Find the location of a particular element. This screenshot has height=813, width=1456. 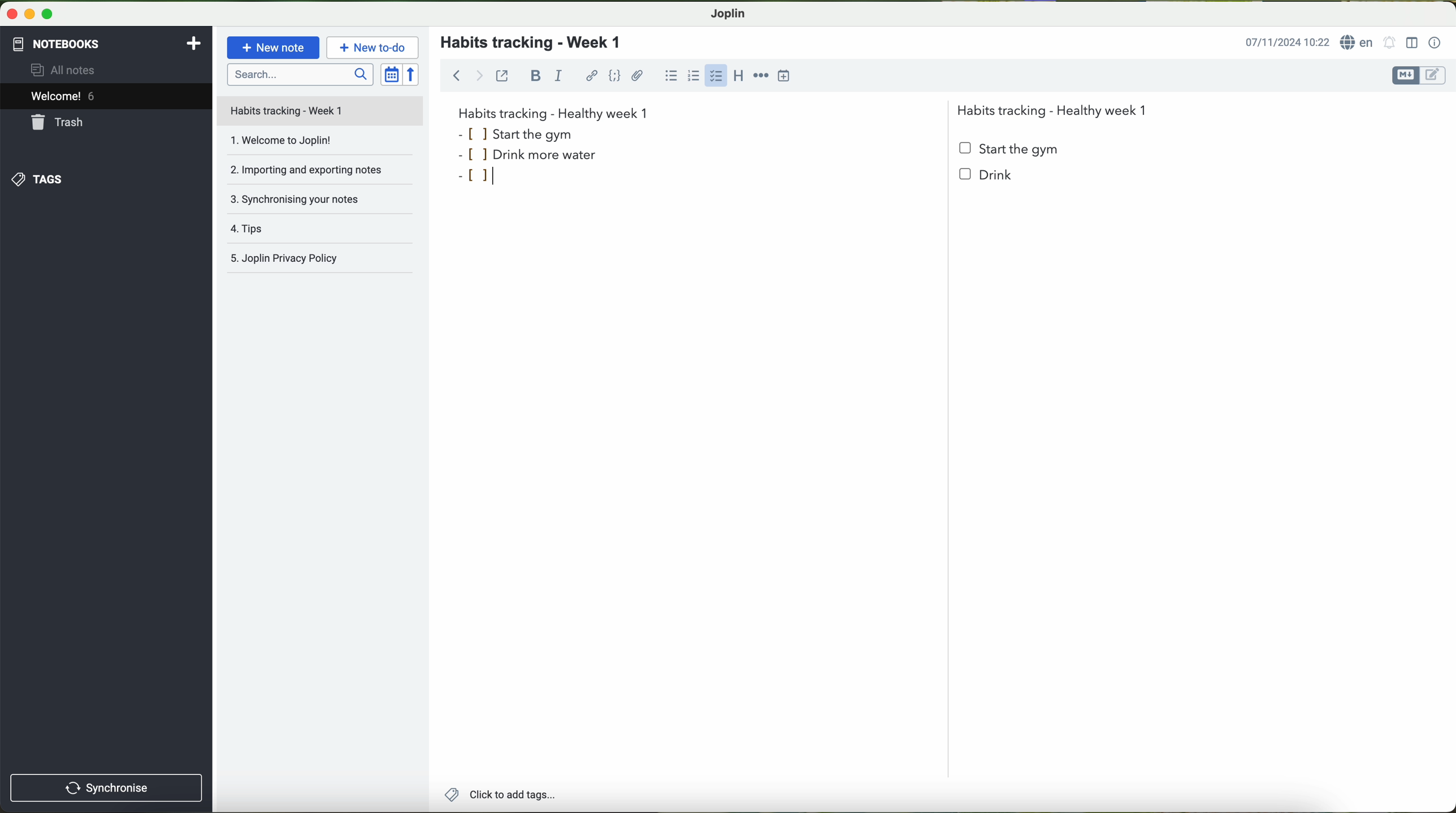

attach file is located at coordinates (638, 75).